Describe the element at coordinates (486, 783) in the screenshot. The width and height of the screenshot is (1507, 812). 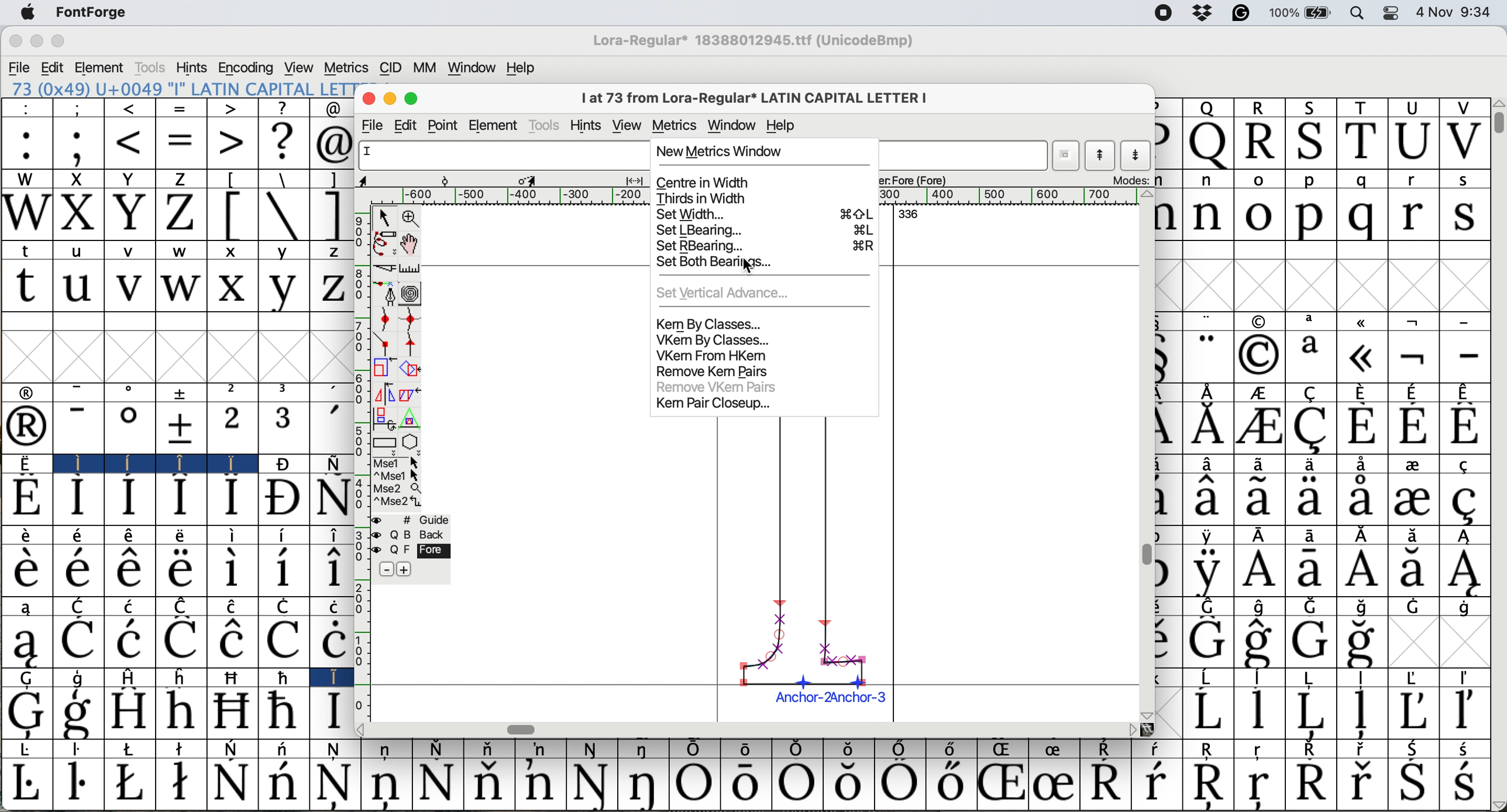
I see `Symbol` at that location.